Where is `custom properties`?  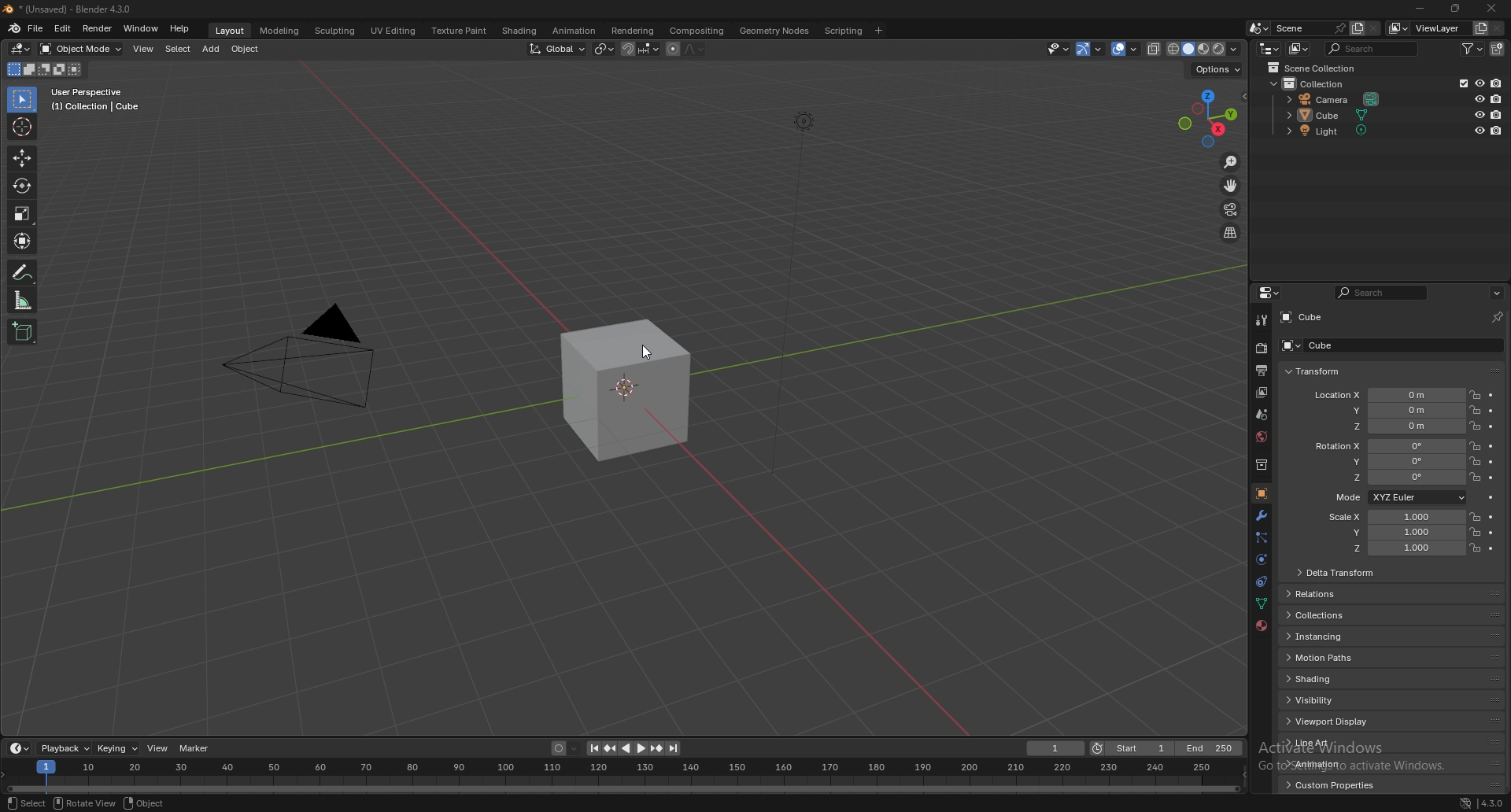
custom properties is located at coordinates (1335, 785).